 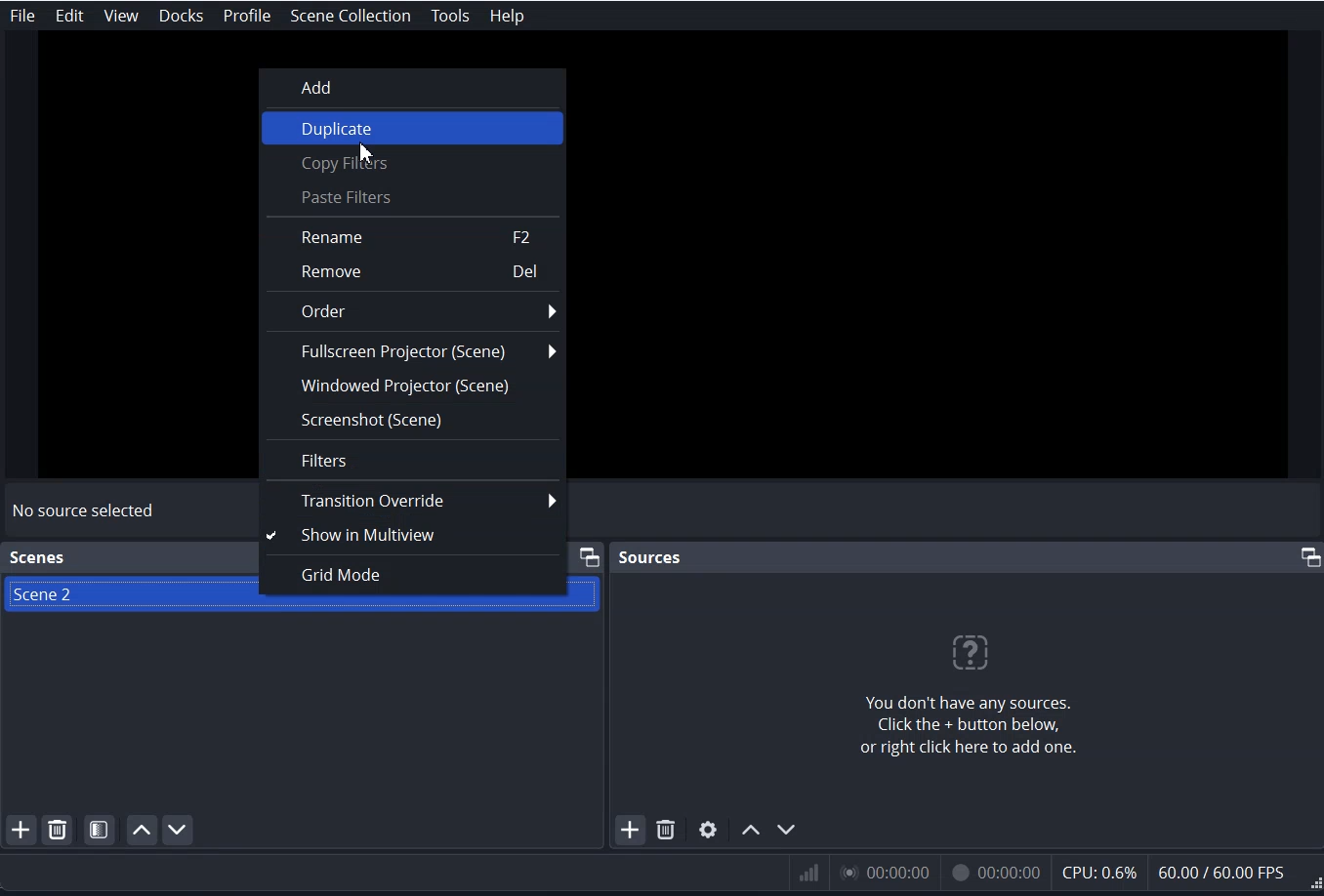 What do you see at coordinates (708, 829) in the screenshot?
I see `Open Source Settings` at bounding box center [708, 829].